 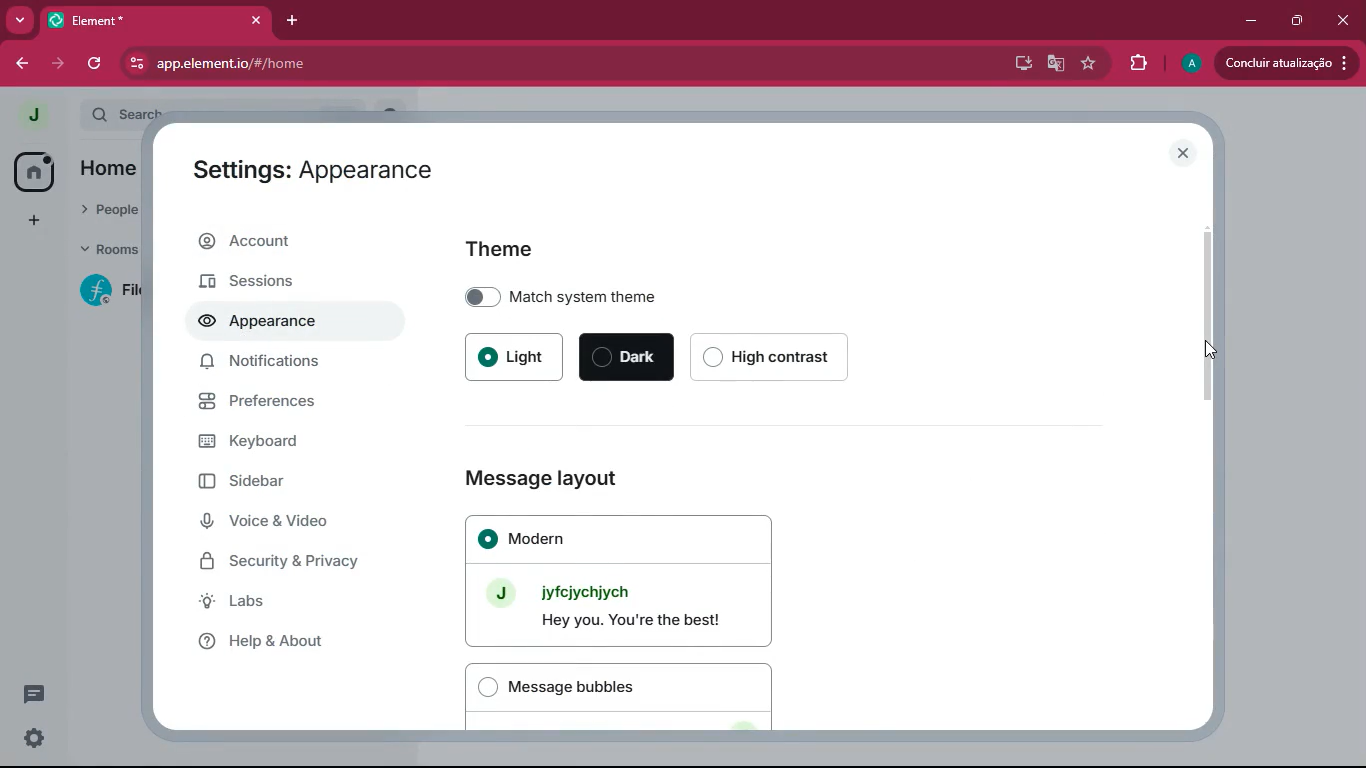 What do you see at coordinates (285, 560) in the screenshot?
I see `security & privacy` at bounding box center [285, 560].